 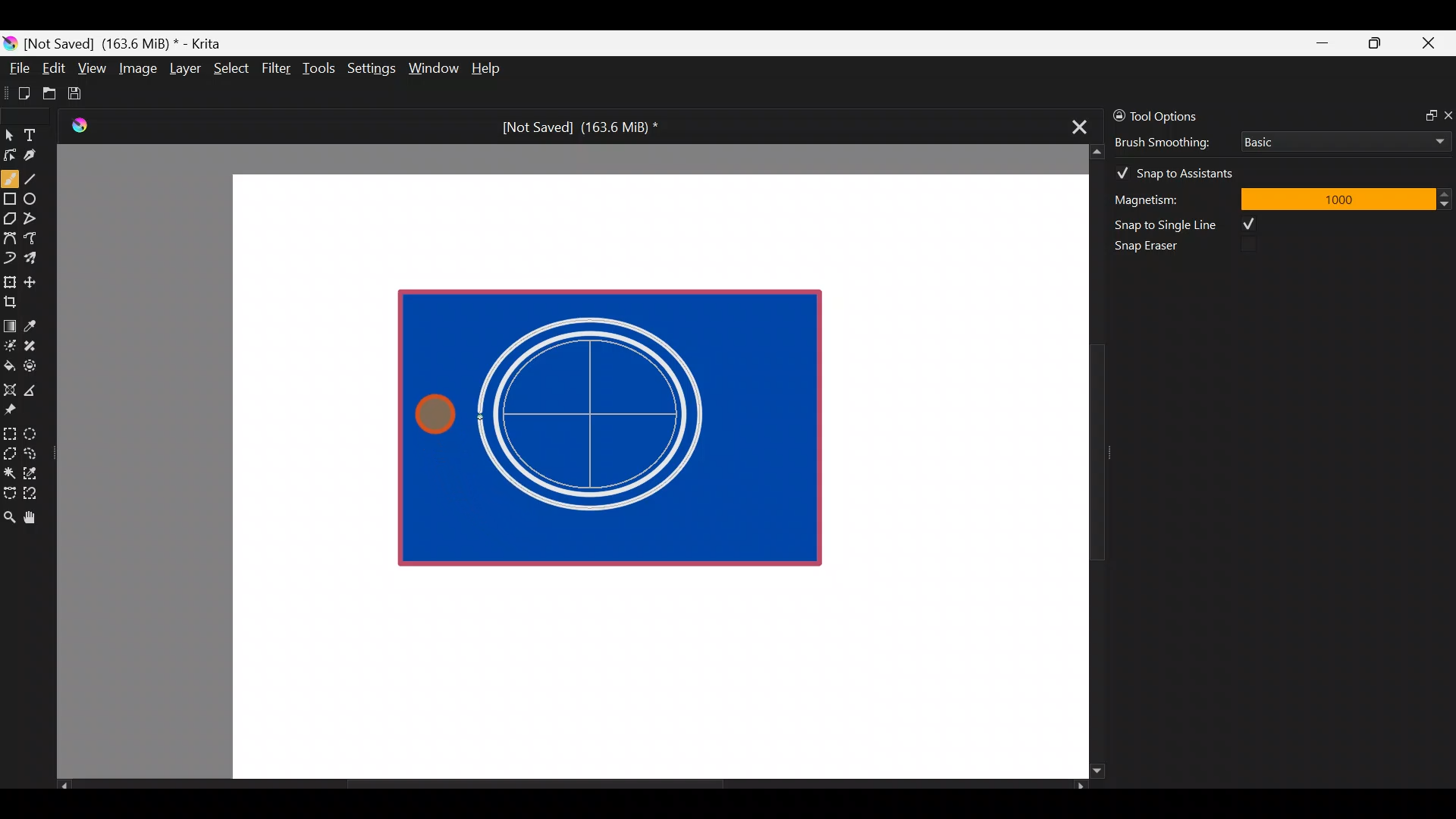 I want to click on Elliptical selection tool, so click(x=36, y=431).